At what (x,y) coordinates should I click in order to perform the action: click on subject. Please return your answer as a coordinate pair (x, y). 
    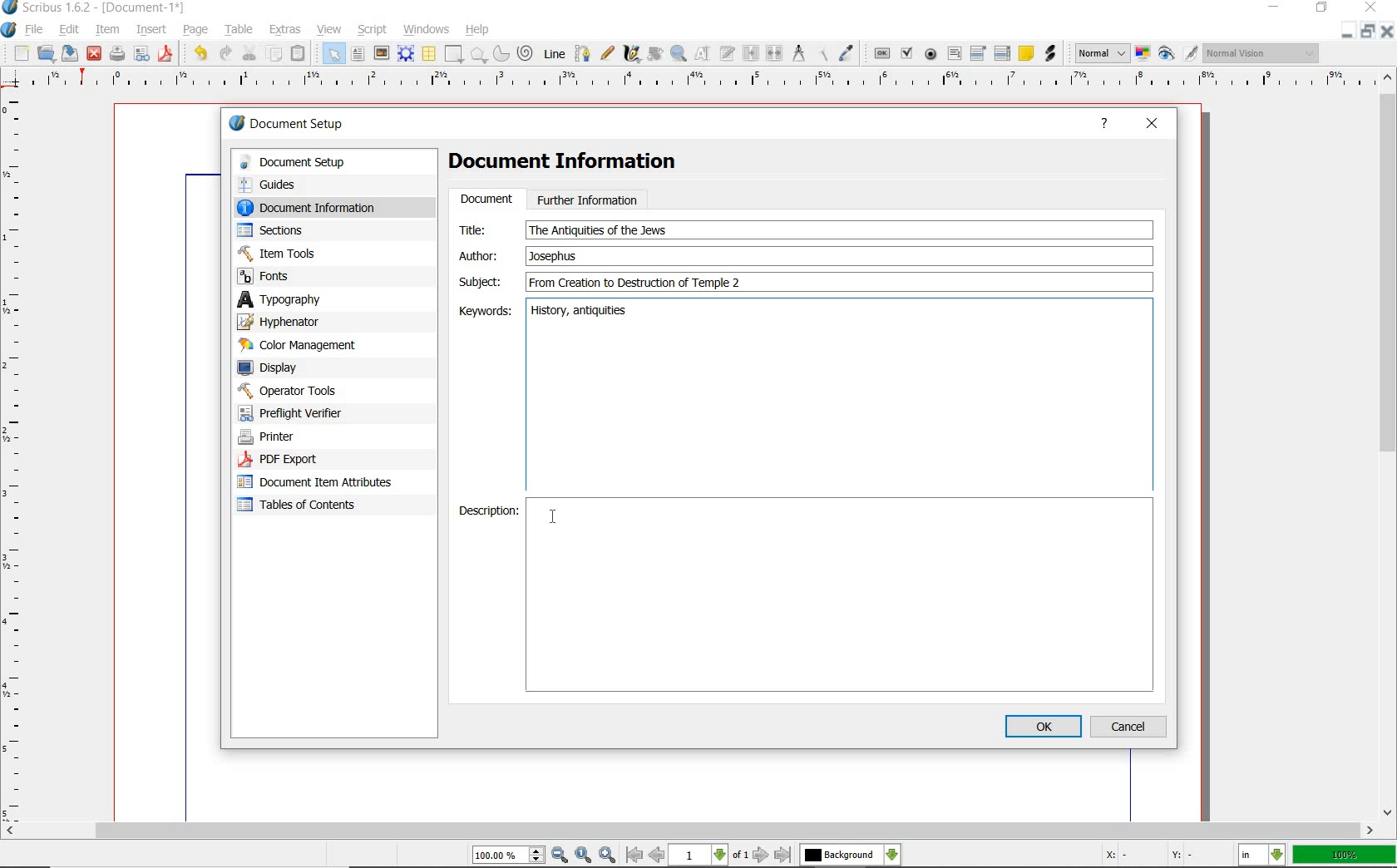
    Looking at the image, I should click on (479, 281).